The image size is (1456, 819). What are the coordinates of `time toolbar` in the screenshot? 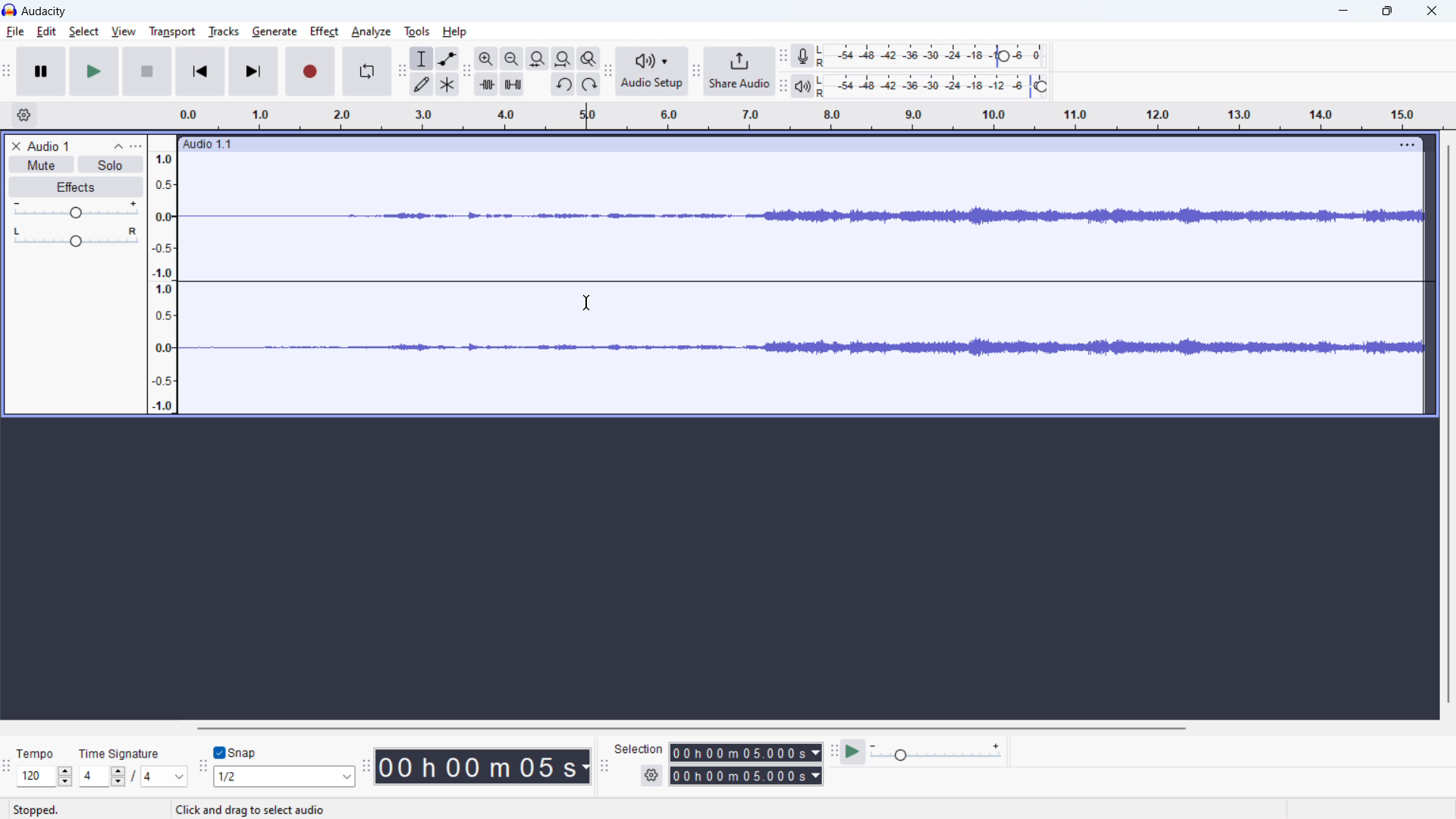 It's located at (369, 765).